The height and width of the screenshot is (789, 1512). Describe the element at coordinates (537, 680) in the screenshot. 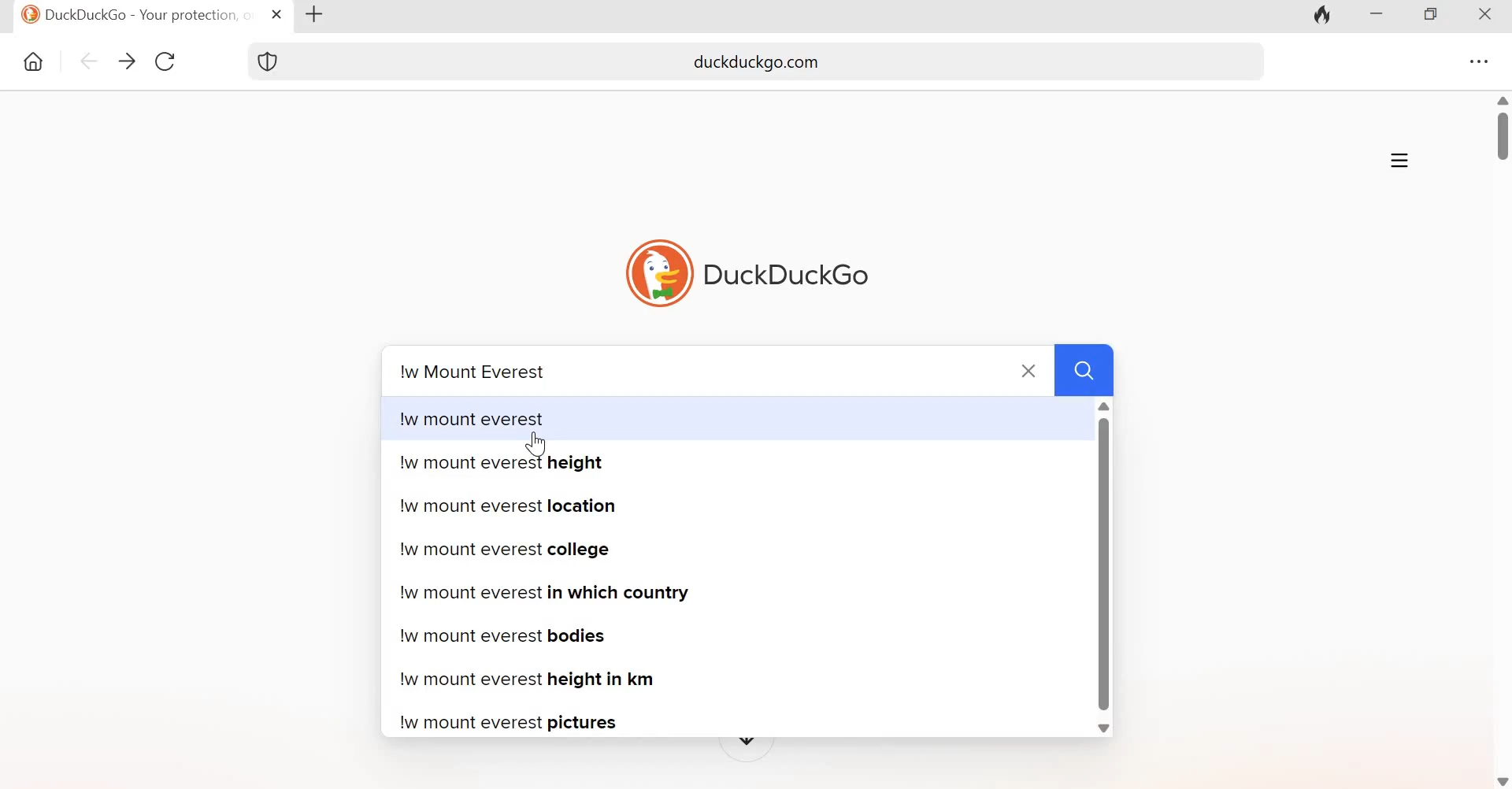

I see `!w mount everest height in km` at that location.